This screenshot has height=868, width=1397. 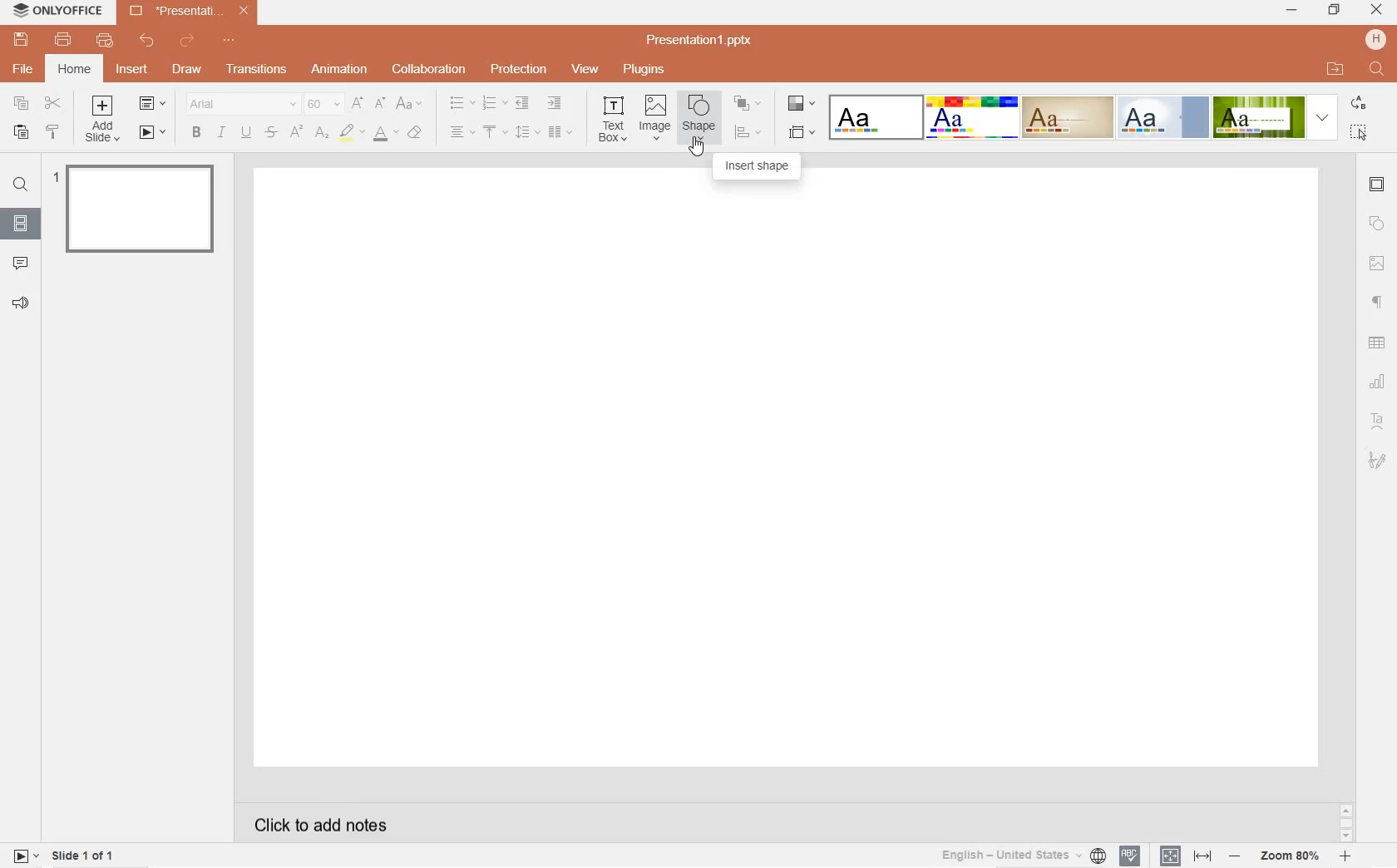 I want to click on table settings, so click(x=1379, y=343).